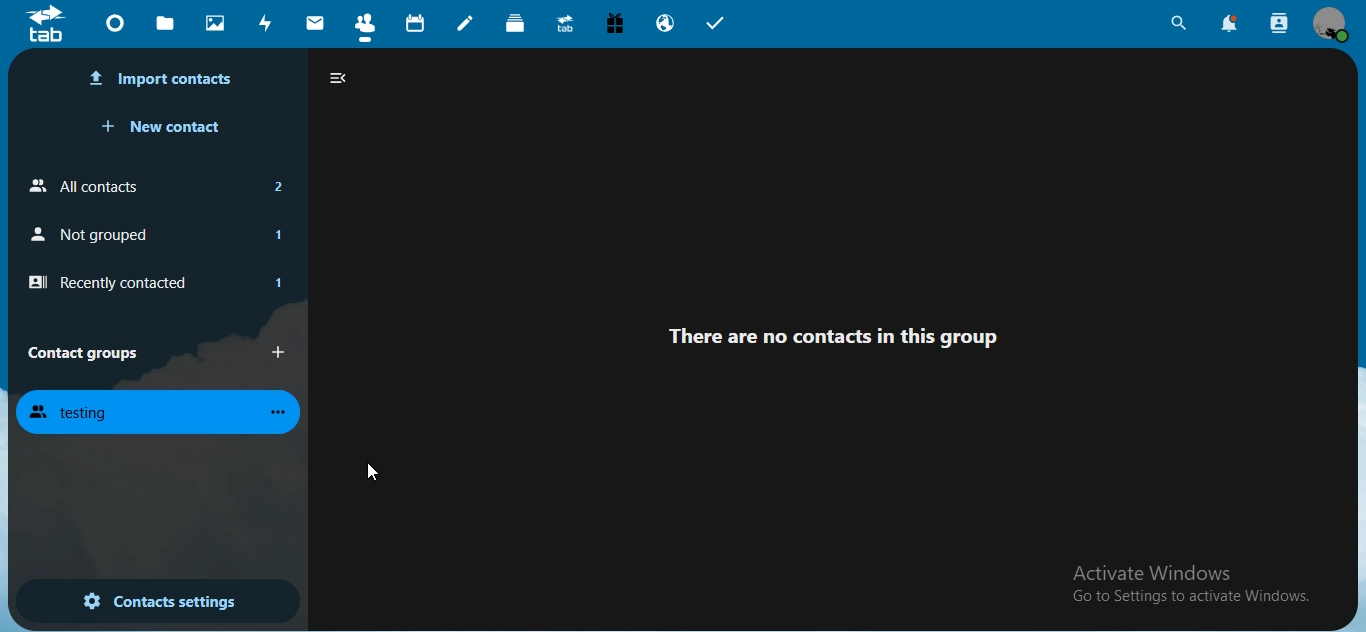  What do you see at coordinates (417, 24) in the screenshot?
I see `calendar` at bounding box center [417, 24].